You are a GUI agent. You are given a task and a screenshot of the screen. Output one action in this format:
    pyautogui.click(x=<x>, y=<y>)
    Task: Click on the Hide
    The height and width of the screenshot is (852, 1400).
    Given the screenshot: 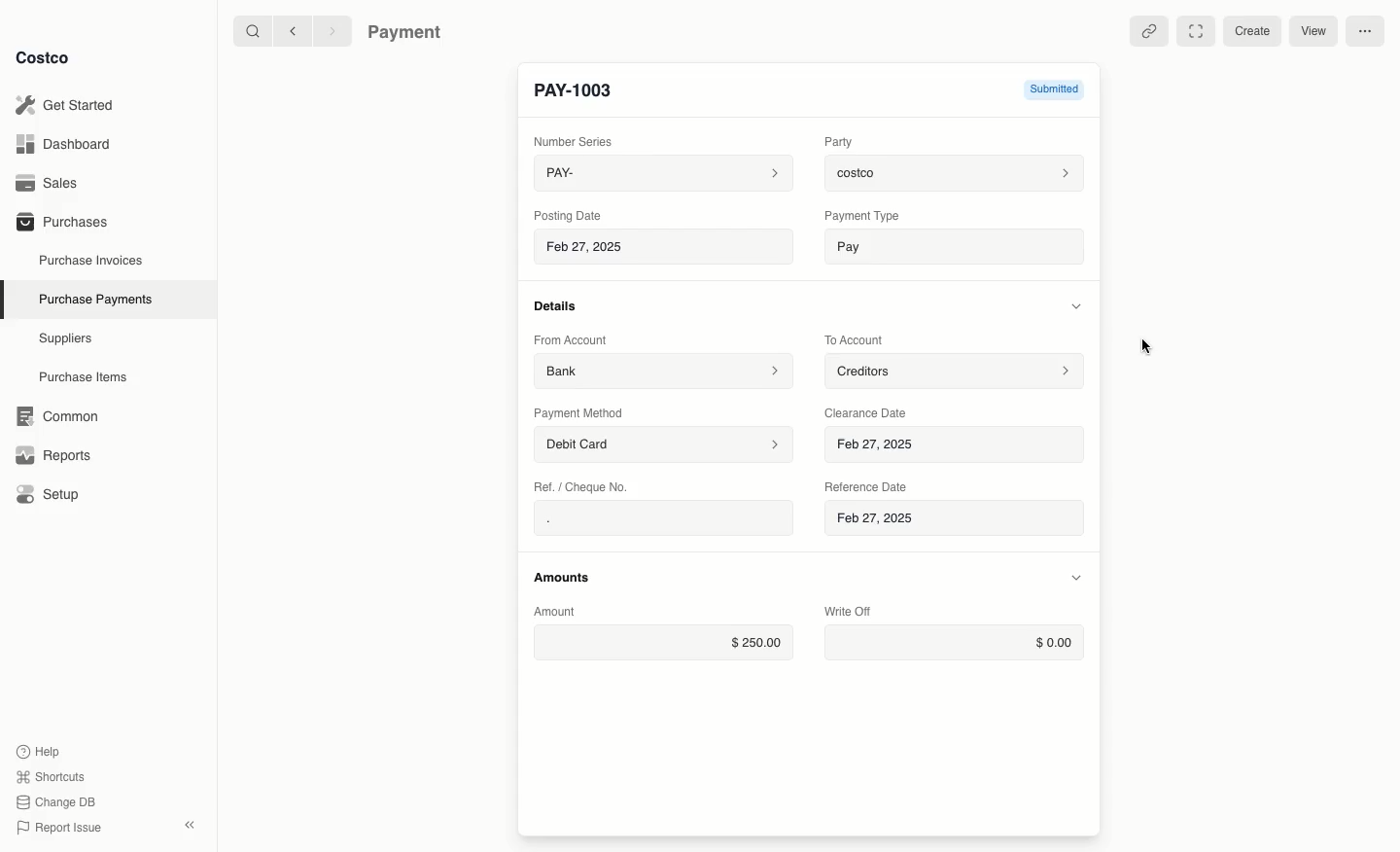 What is the action you would take?
    pyautogui.click(x=1070, y=305)
    